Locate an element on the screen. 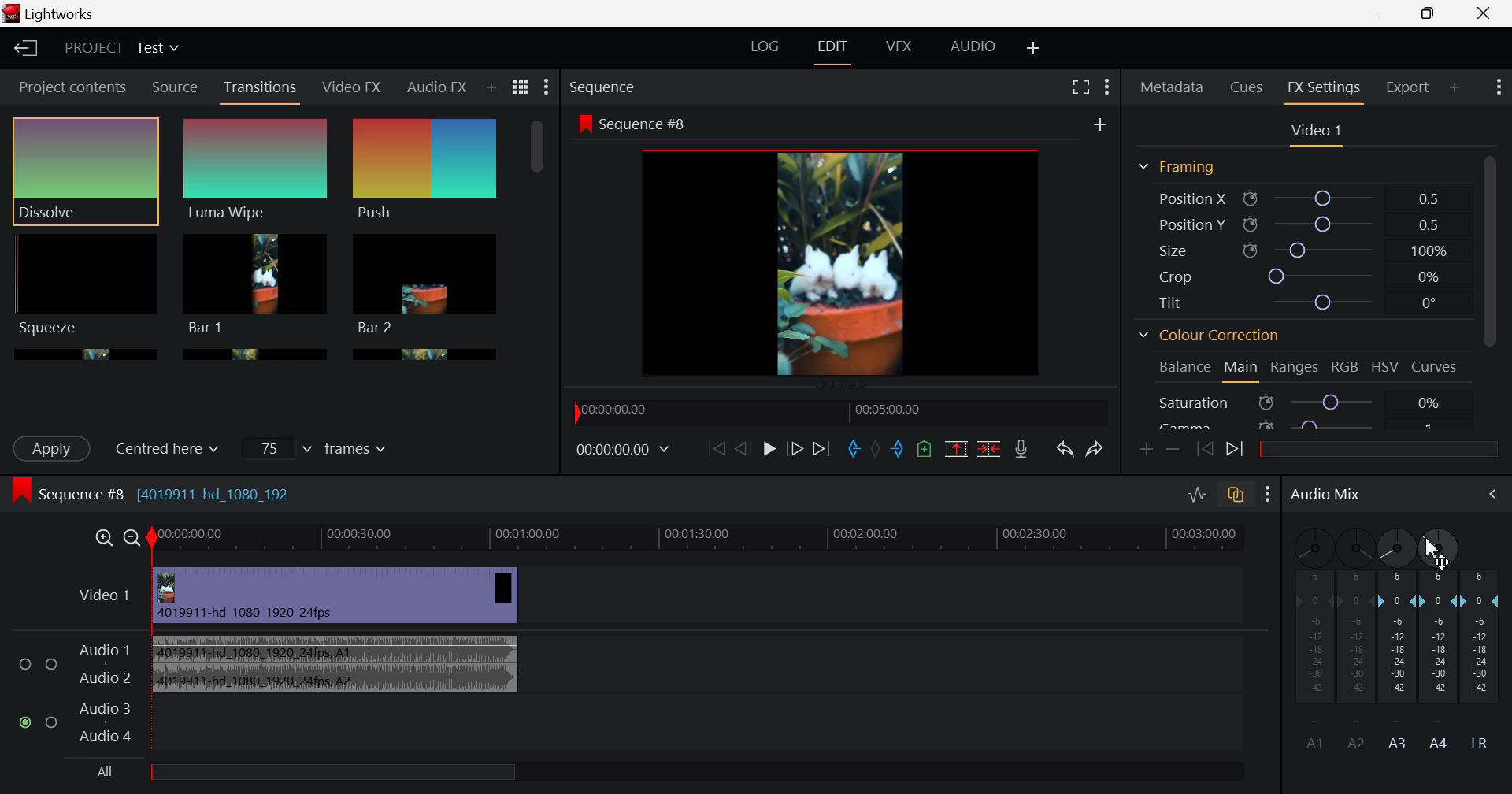 This screenshot has width=1512, height=794. Lightworks is located at coordinates (76, 13).